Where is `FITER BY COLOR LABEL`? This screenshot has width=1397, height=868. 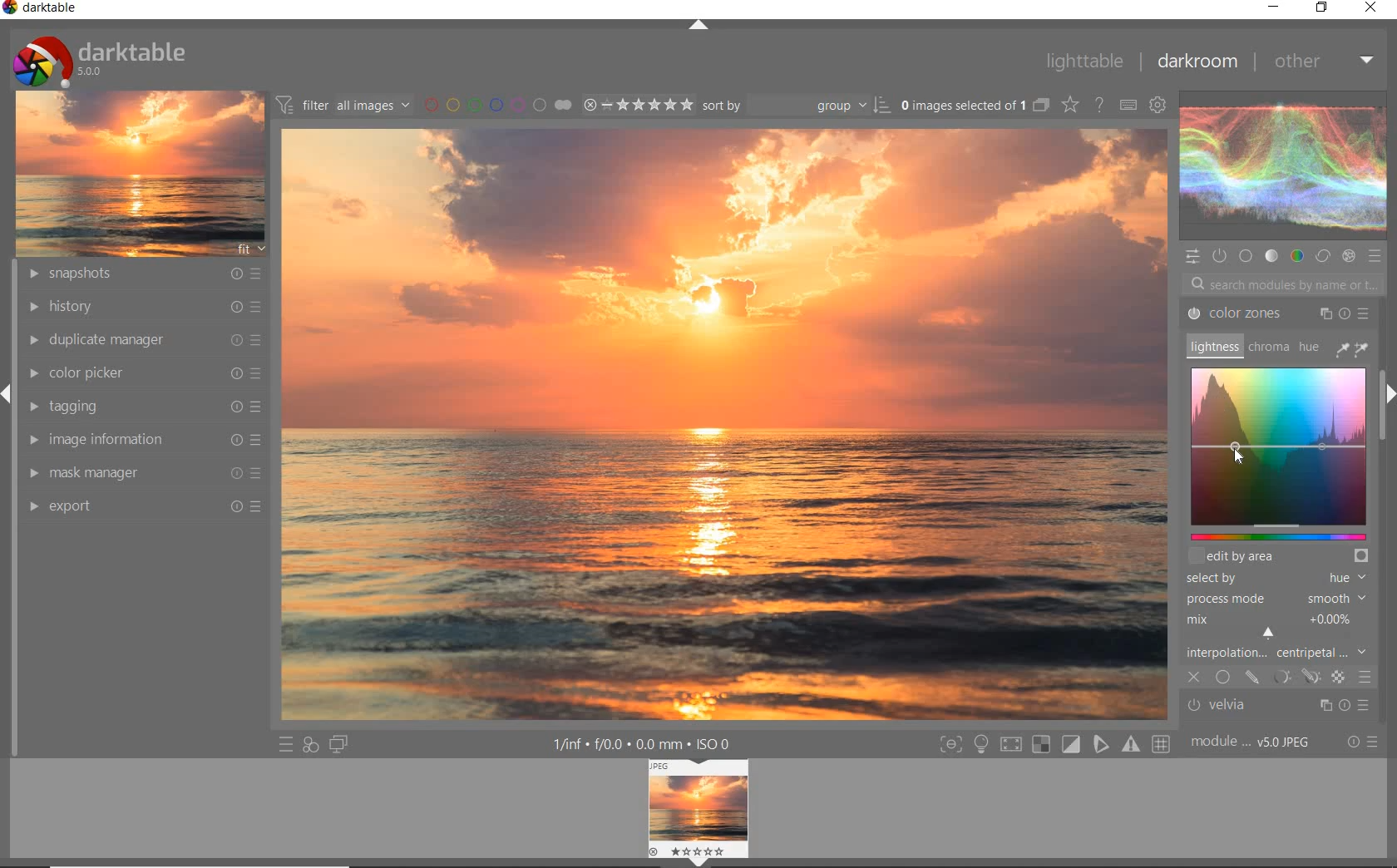 FITER BY COLOR LABEL is located at coordinates (496, 104).